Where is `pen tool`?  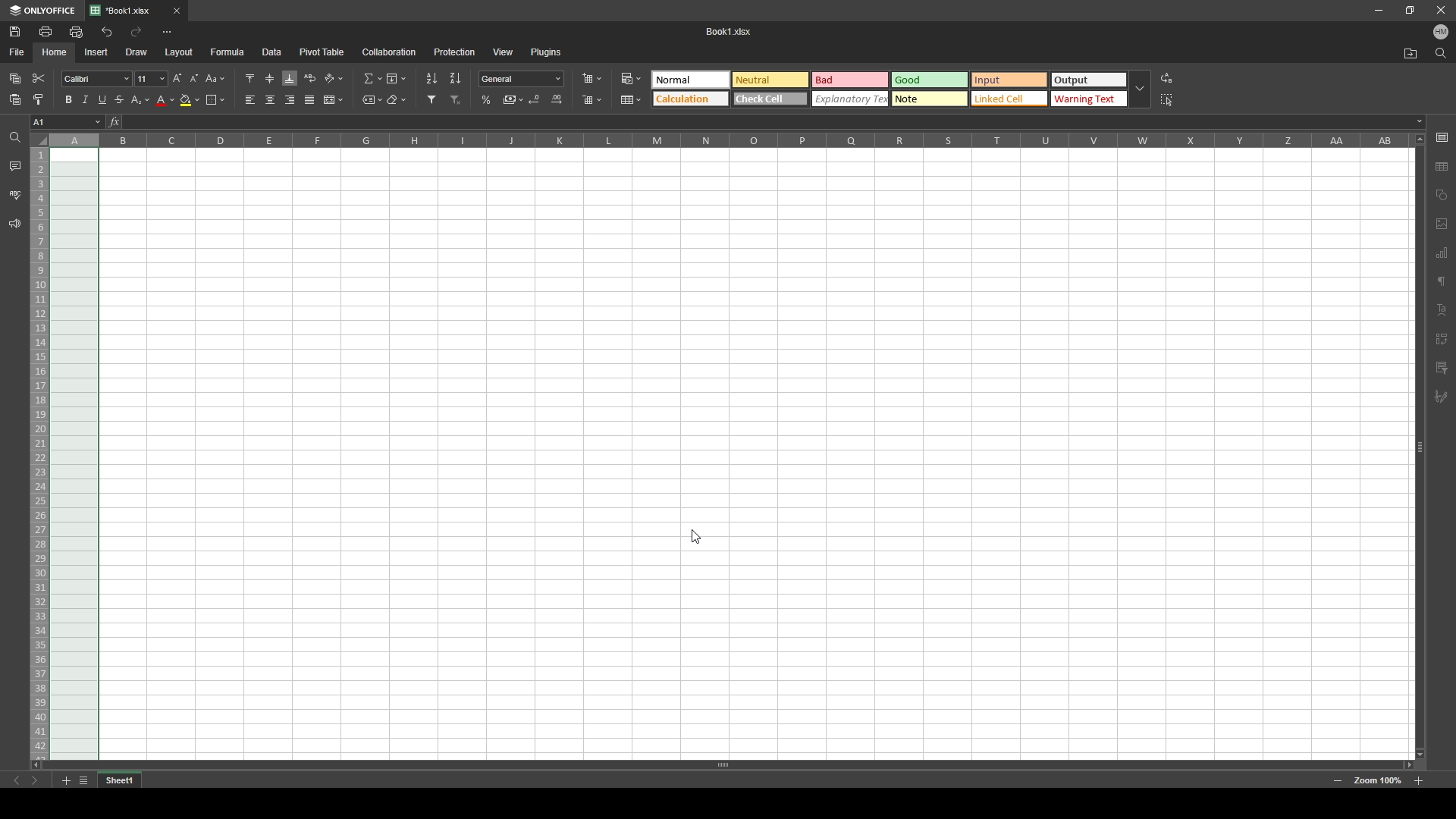 pen tool is located at coordinates (1441, 397).